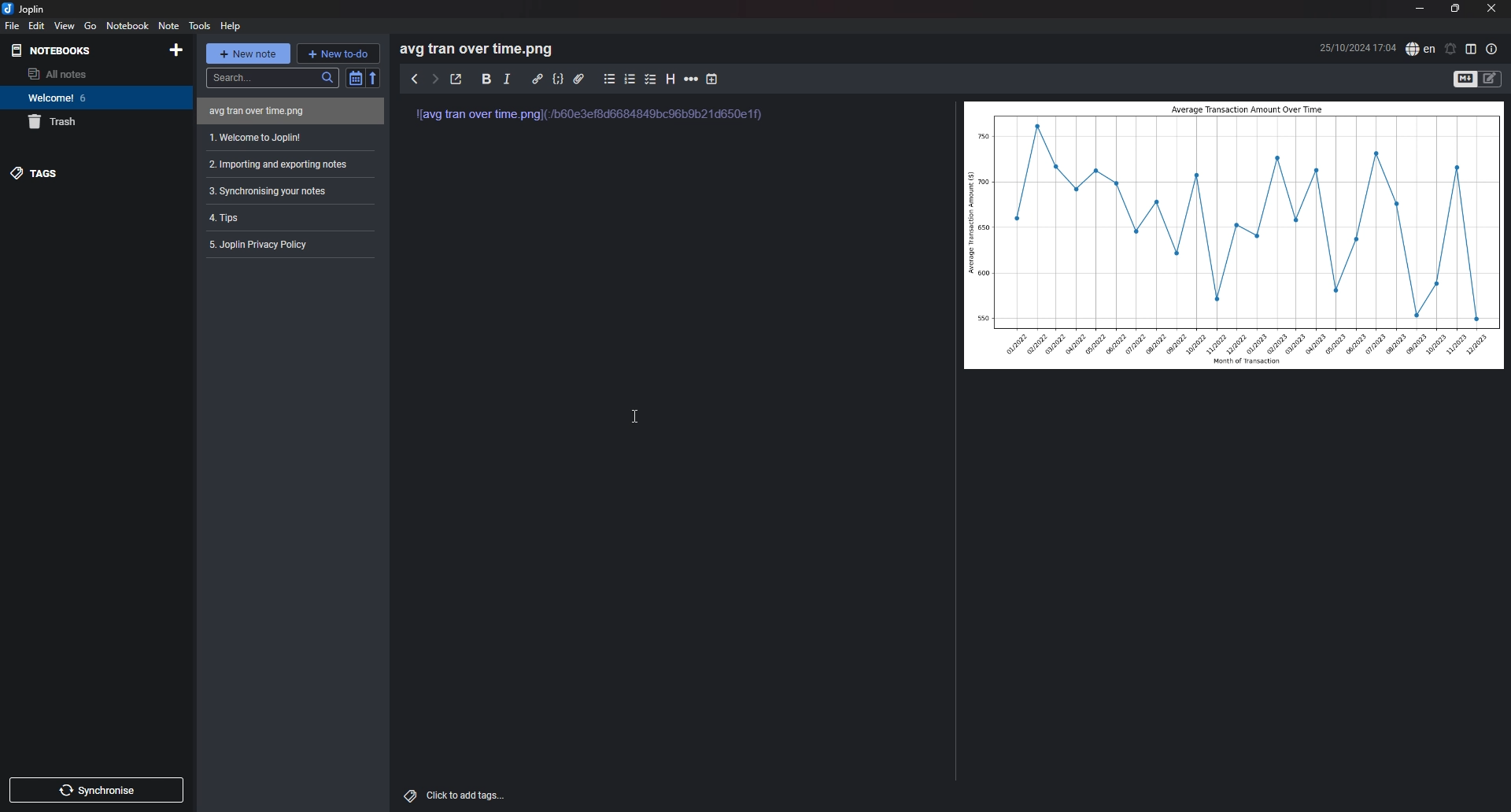  What do you see at coordinates (338, 53) in the screenshot?
I see `new todo` at bounding box center [338, 53].